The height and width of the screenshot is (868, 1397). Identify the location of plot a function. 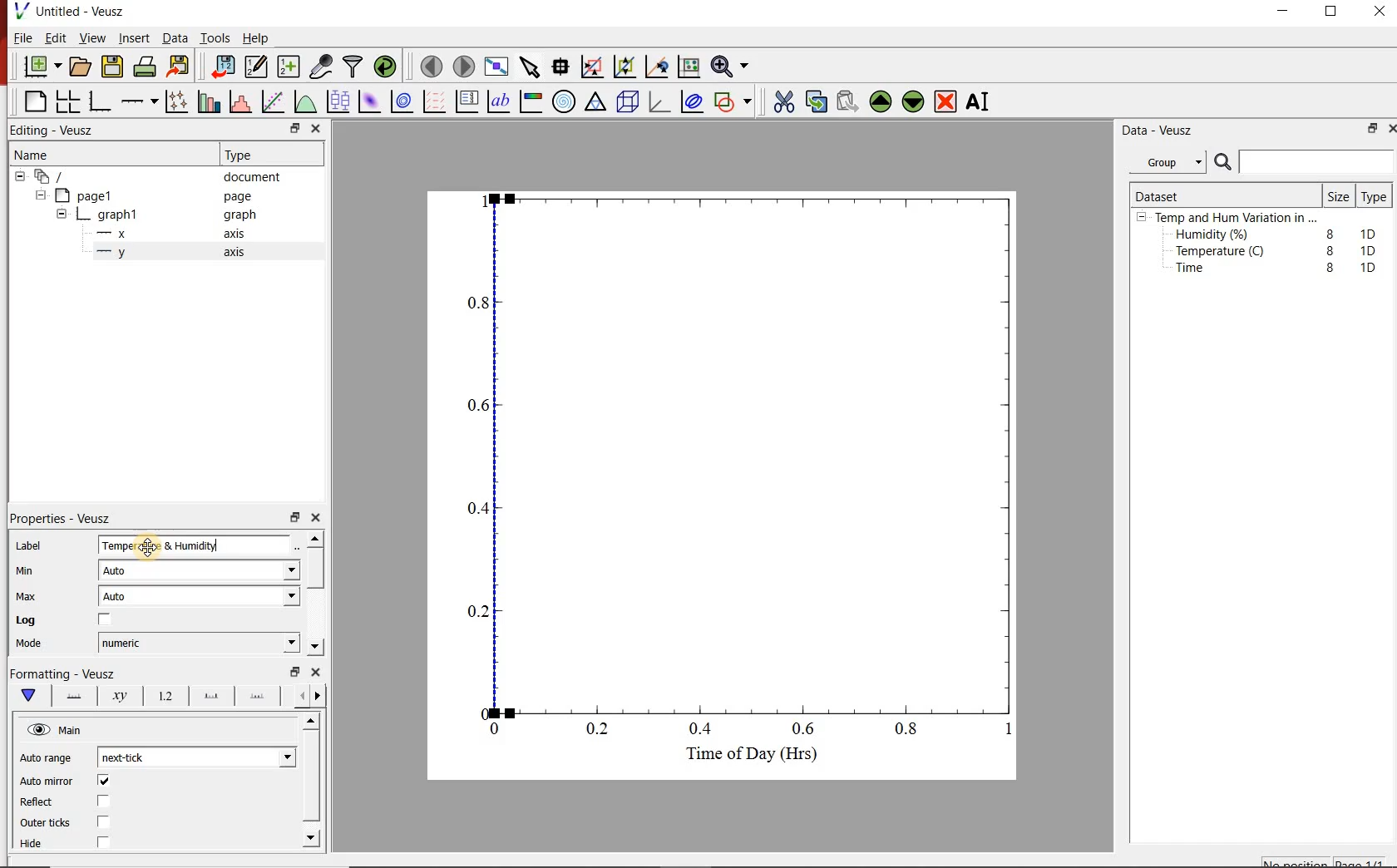
(307, 104).